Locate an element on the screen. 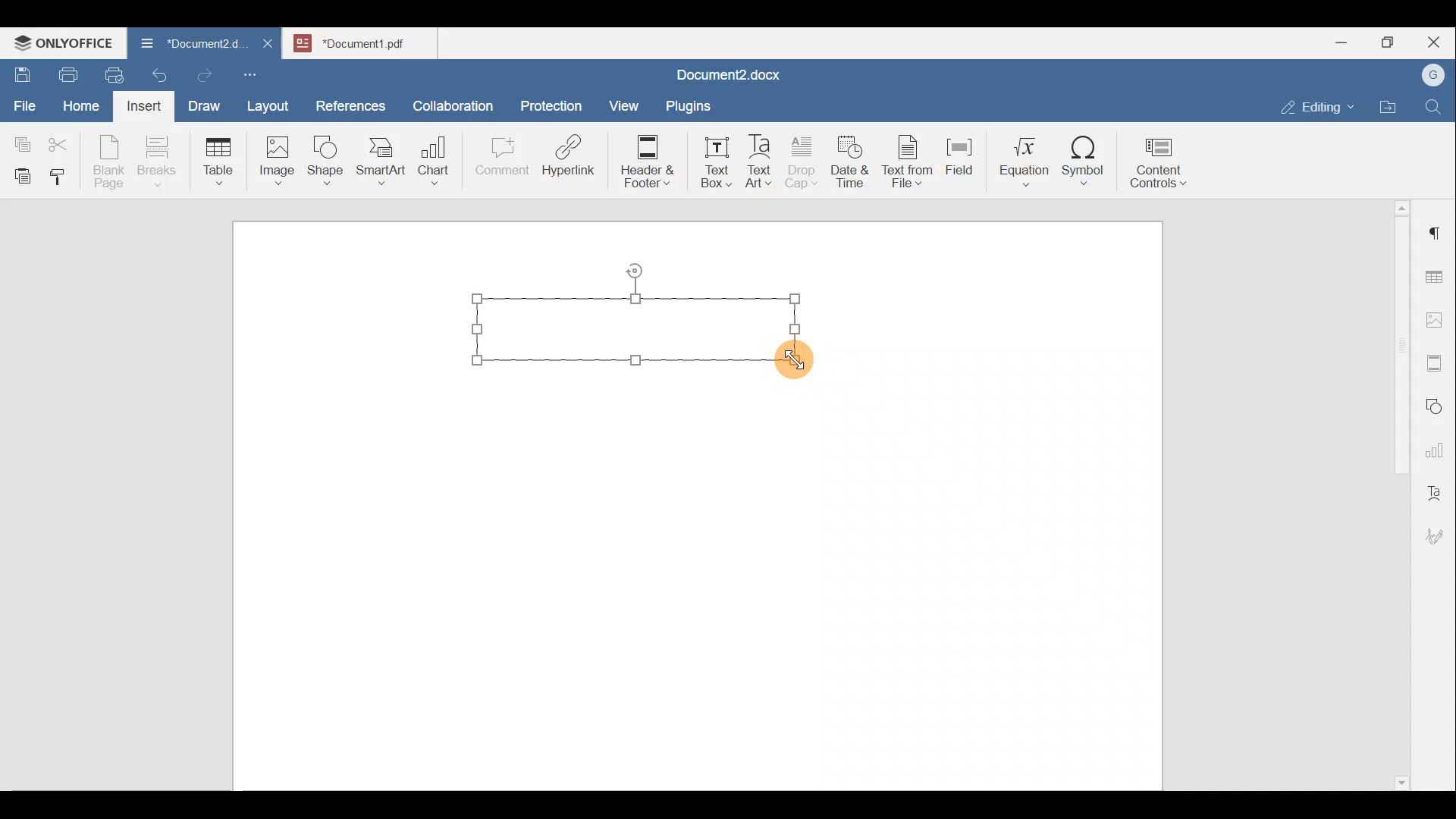 This screenshot has height=819, width=1456. SmartArt is located at coordinates (378, 158).